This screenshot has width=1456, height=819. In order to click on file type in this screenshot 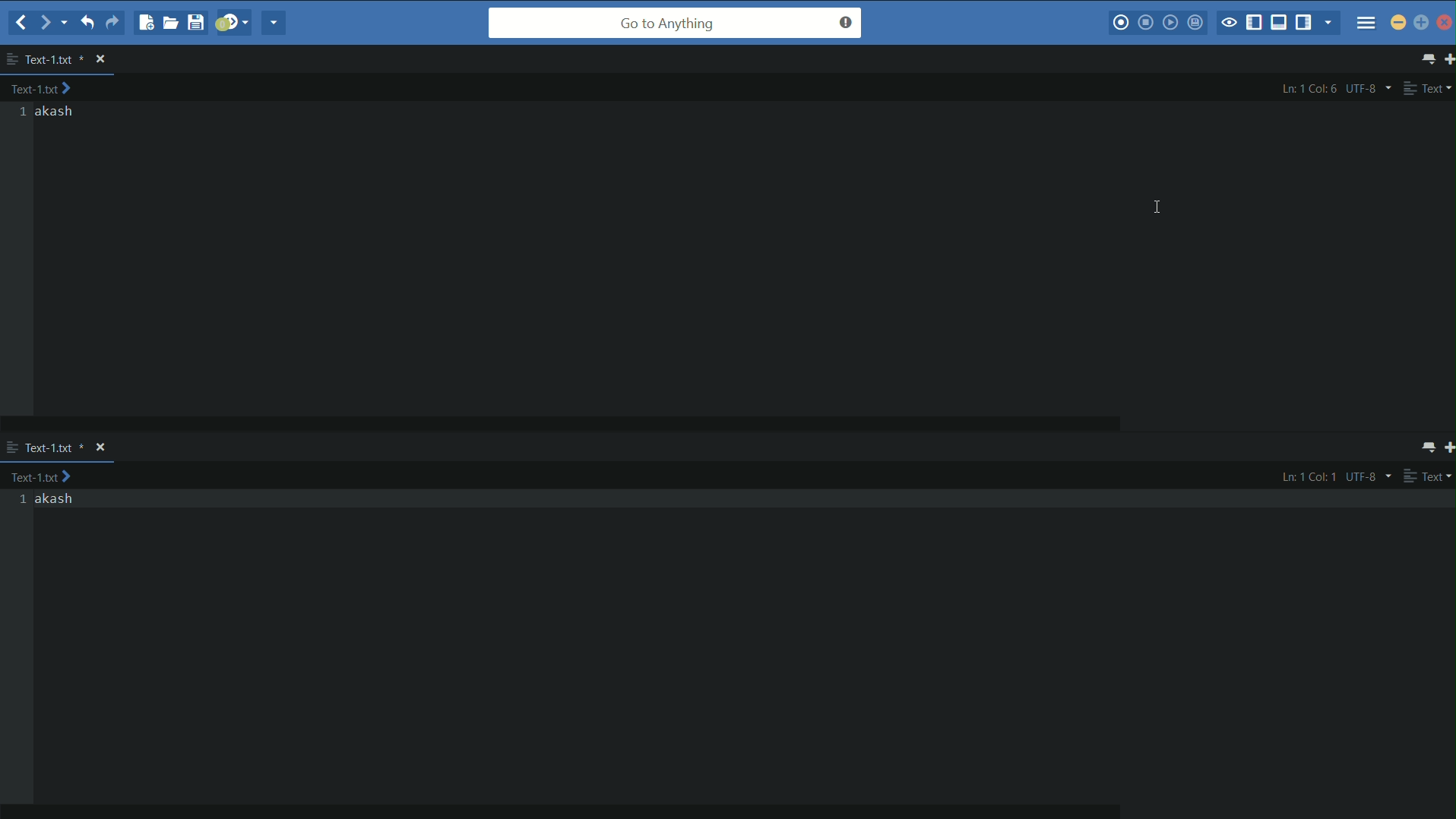, I will do `click(1427, 477)`.